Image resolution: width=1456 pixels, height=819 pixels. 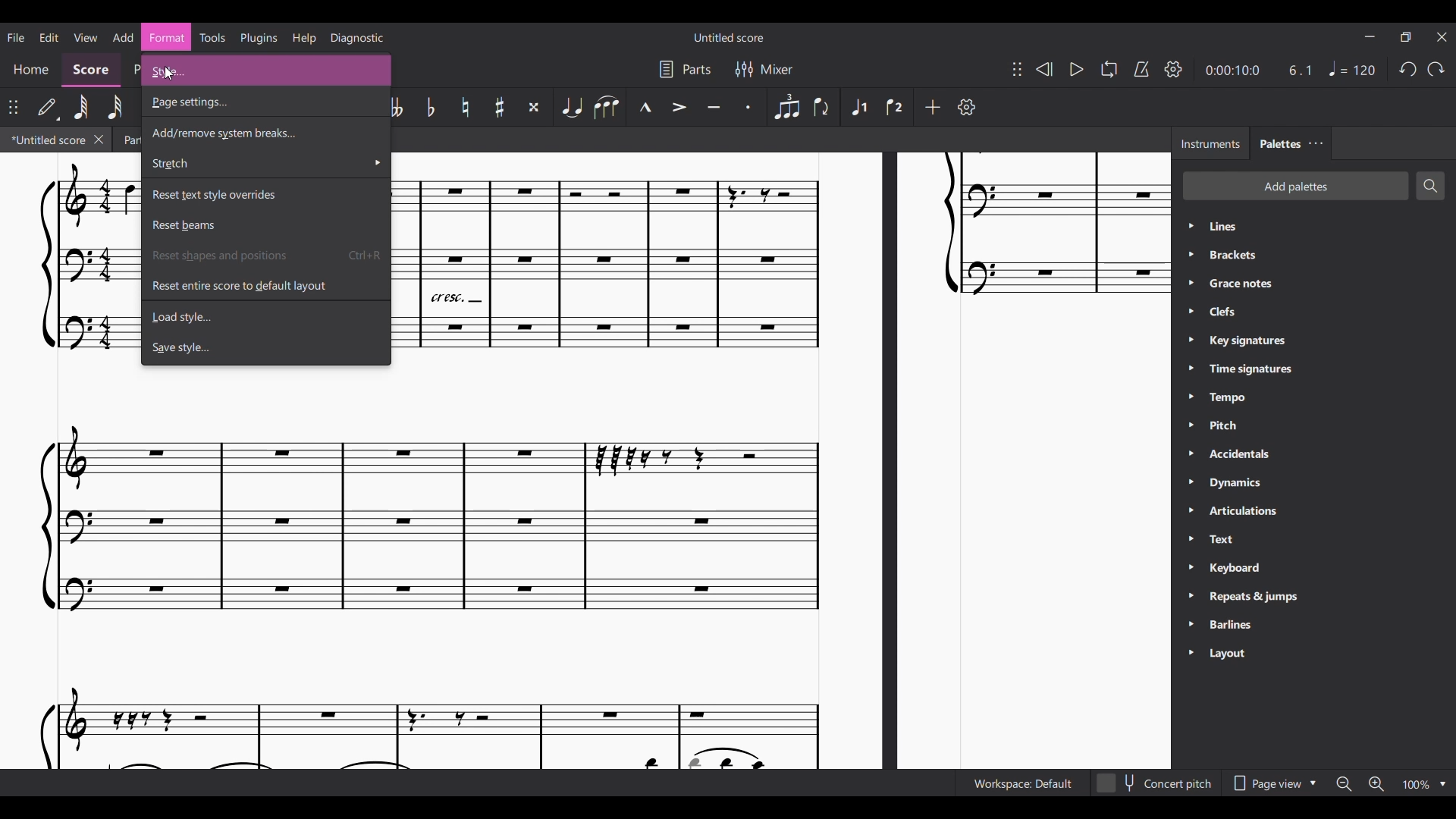 I want to click on Add menu, so click(x=124, y=36).